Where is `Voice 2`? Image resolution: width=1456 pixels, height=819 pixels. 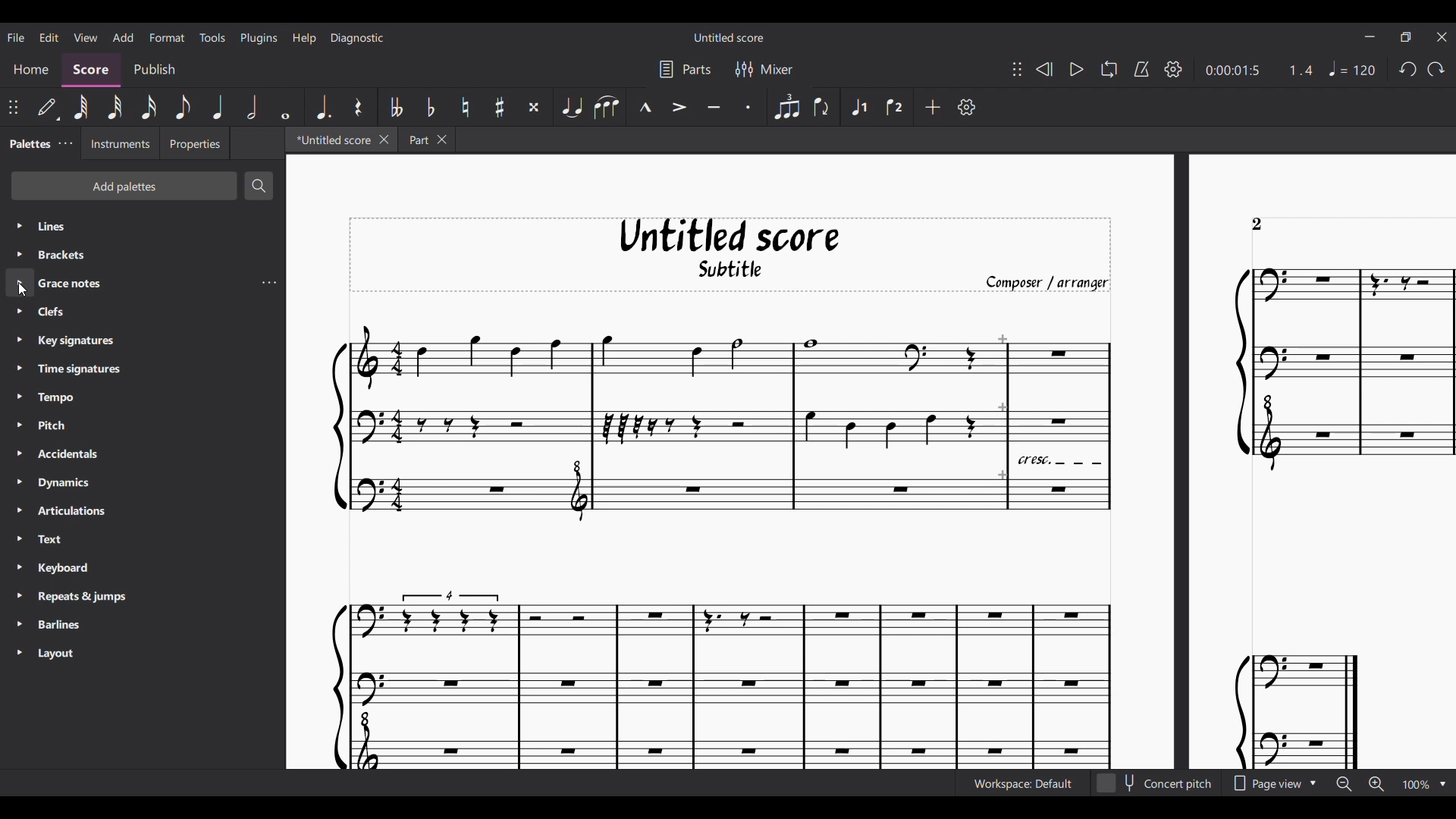
Voice 2 is located at coordinates (896, 107).